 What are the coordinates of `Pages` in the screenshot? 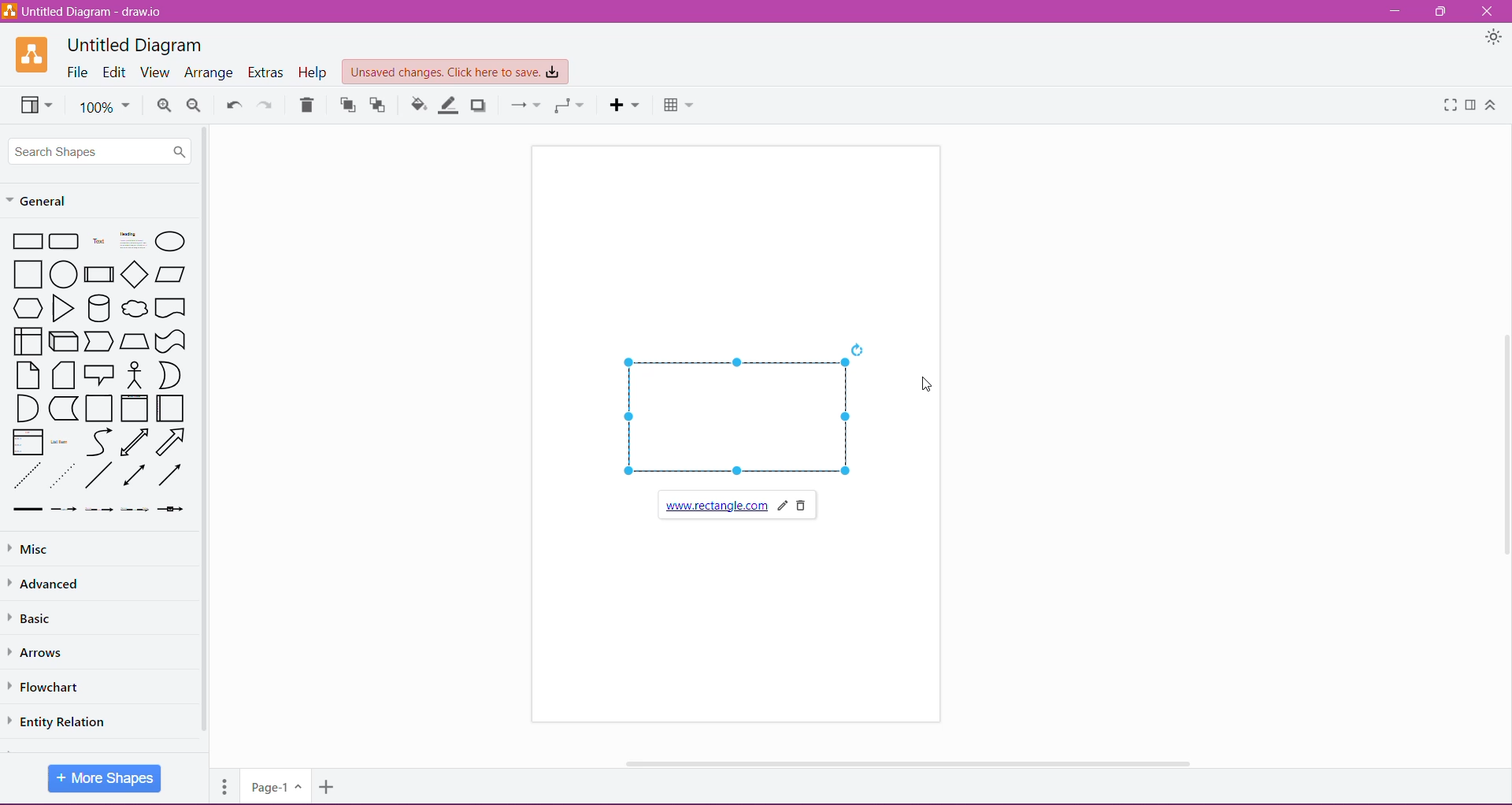 It's located at (225, 786).